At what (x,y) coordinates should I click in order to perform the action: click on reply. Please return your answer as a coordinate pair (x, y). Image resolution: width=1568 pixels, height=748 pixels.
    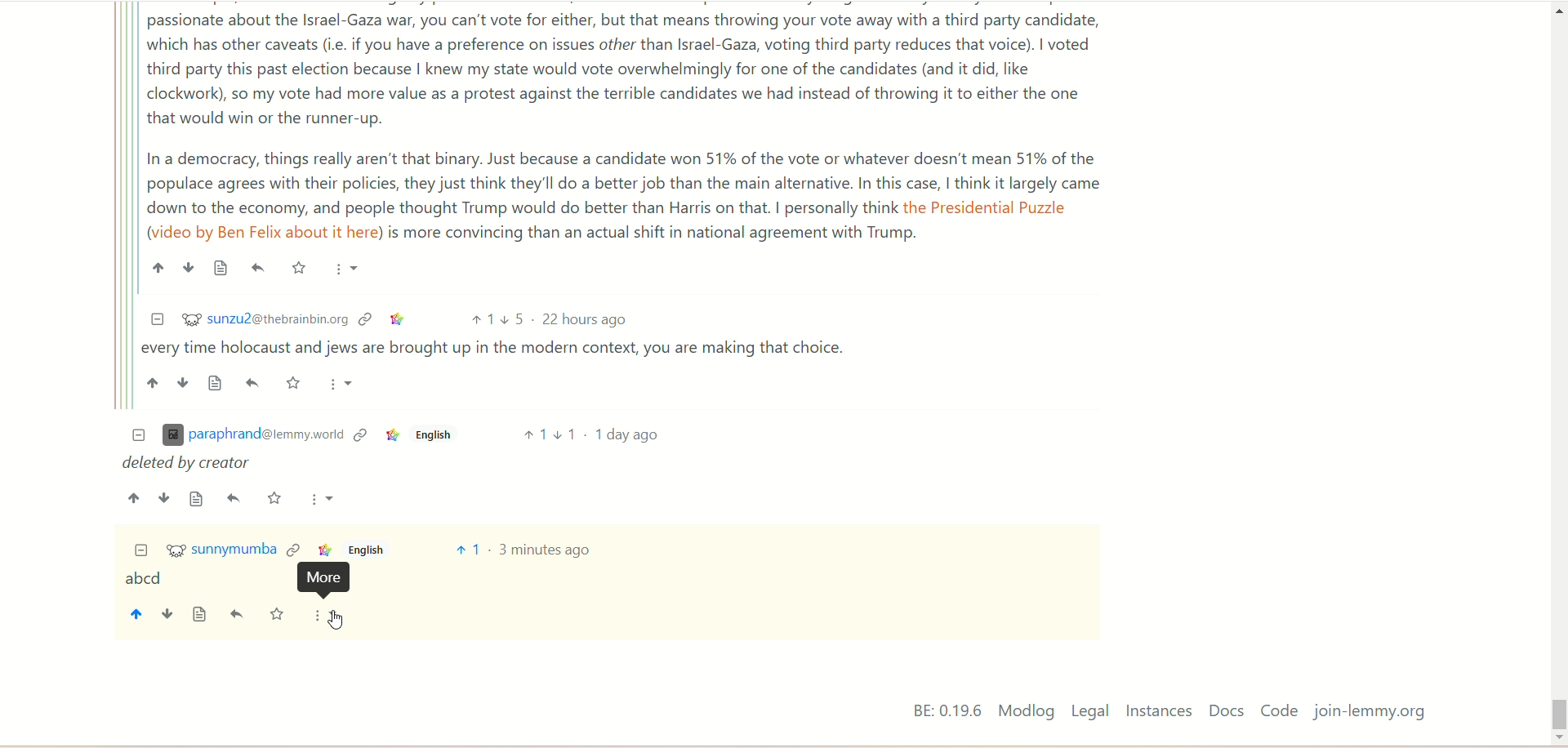
    Looking at the image, I should click on (239, 615).